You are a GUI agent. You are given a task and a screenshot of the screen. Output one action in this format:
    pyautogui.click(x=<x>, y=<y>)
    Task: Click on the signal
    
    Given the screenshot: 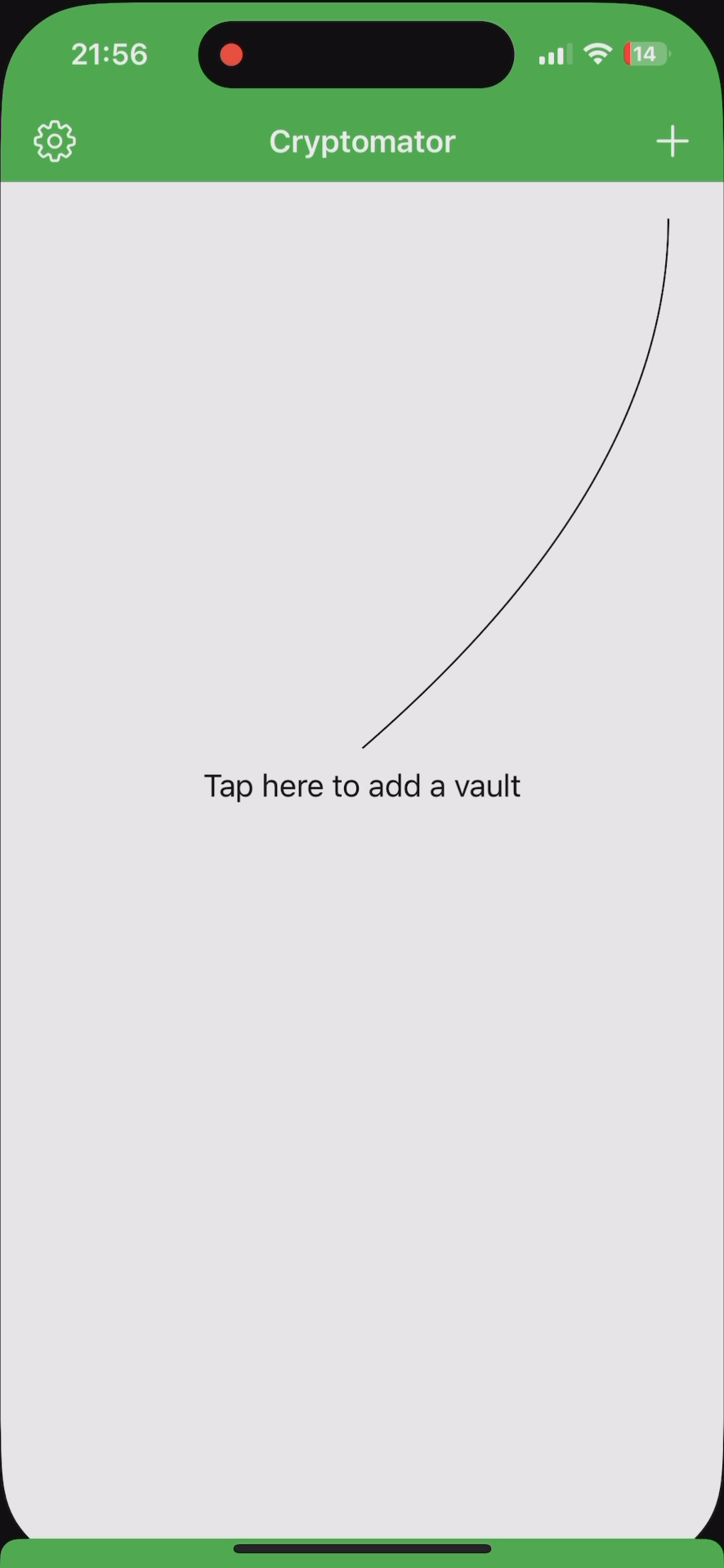 What is the action you would take?
    pyautogui.click(x=553, y=55)
    